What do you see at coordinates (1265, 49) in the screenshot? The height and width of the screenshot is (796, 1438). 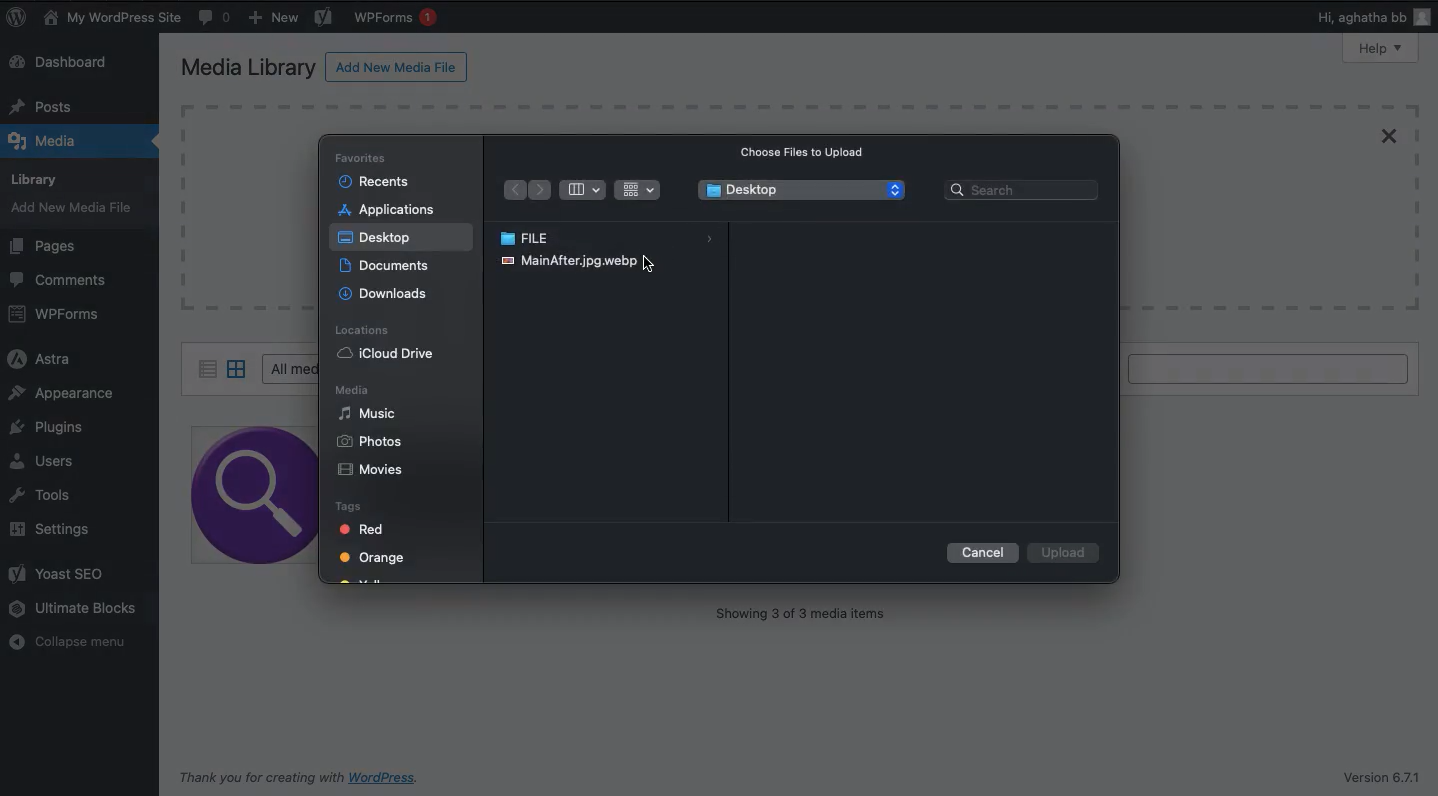 I see `Screen options` at bounding box center [1265, 49].